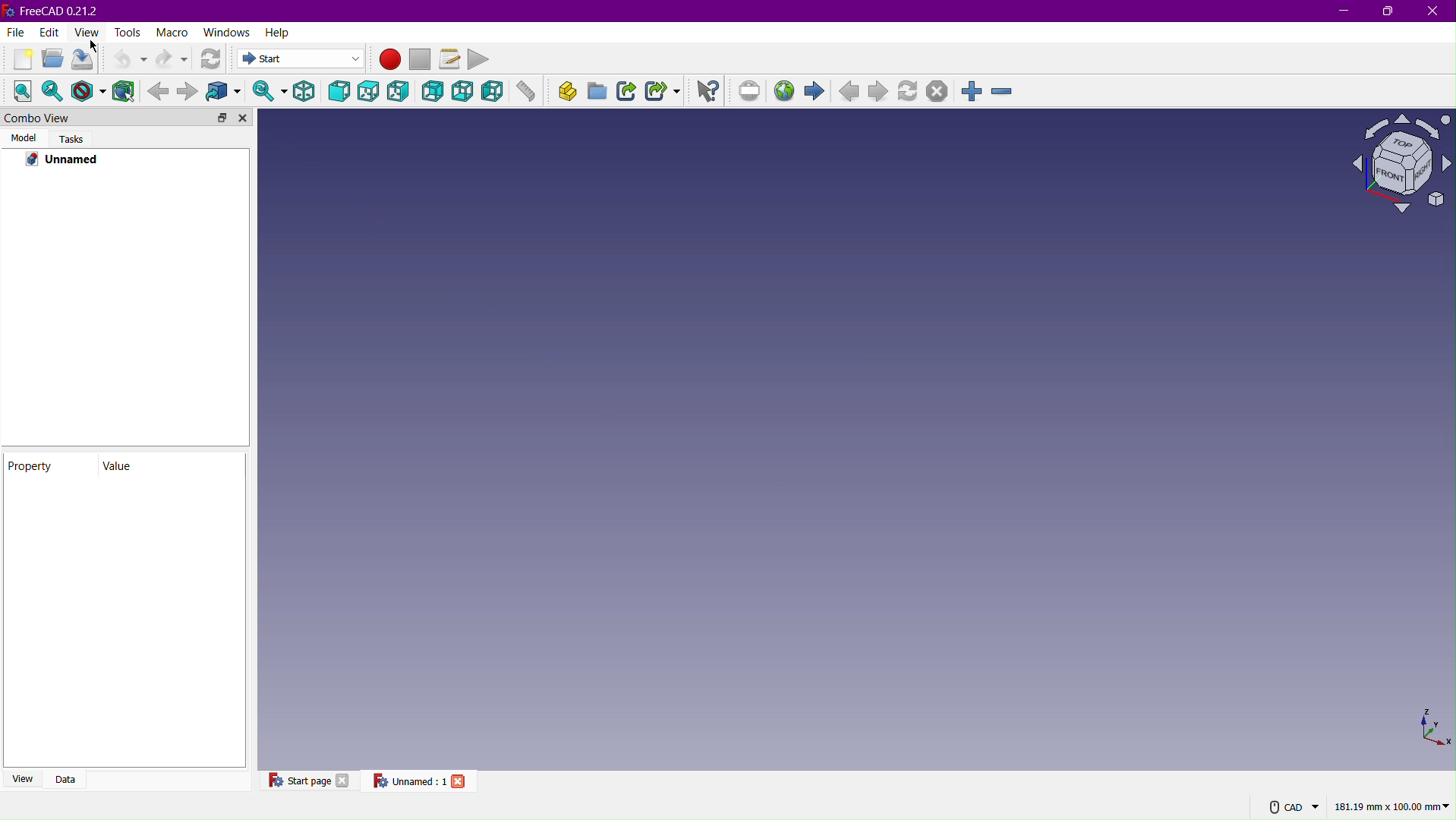  What do you see at coordinates (106, 120) in the screenshot?
I see `Combo View` at bounding box center [106, 120].